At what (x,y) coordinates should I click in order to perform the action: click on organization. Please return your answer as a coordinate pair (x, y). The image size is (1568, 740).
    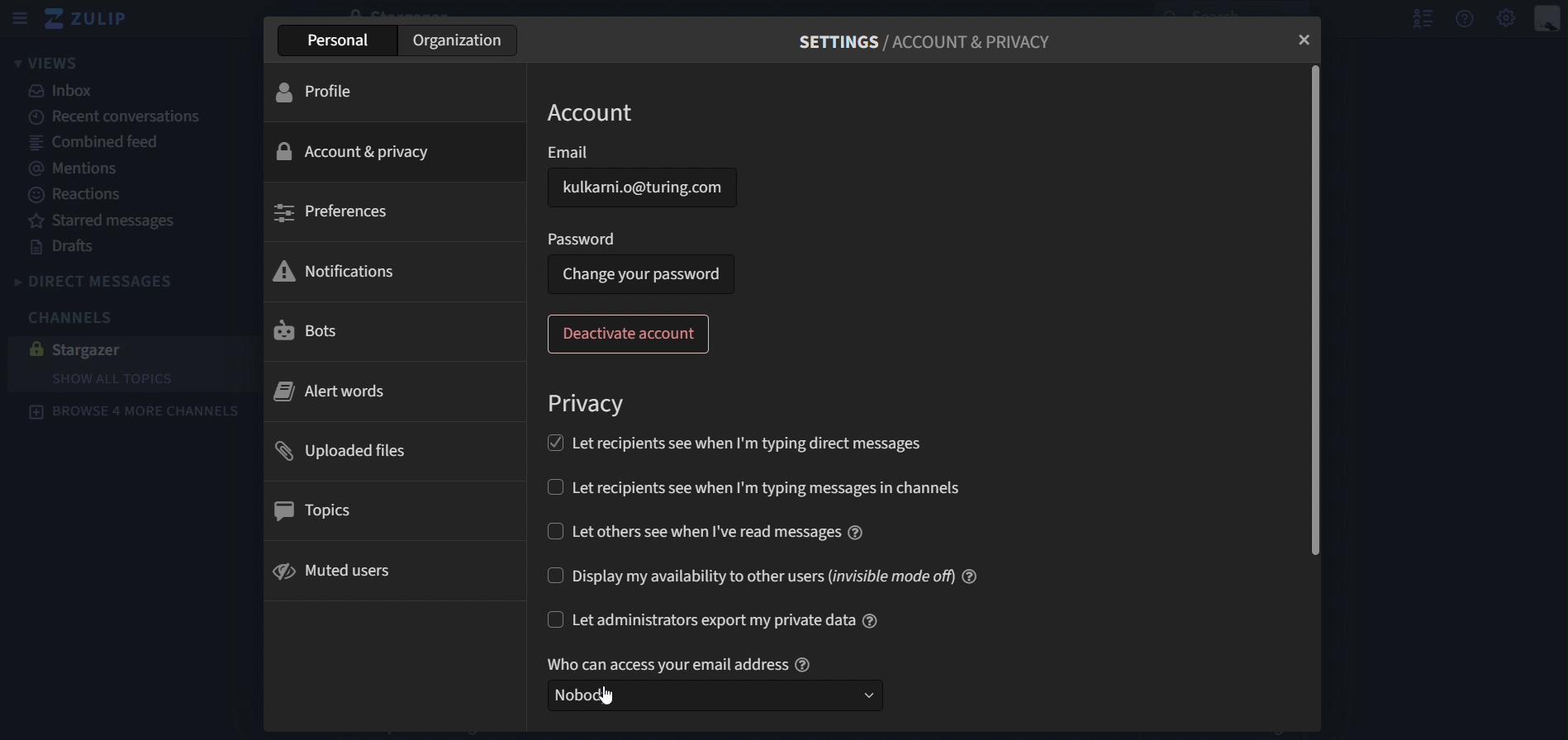
    Looking at the image, I should click on (456, 42).